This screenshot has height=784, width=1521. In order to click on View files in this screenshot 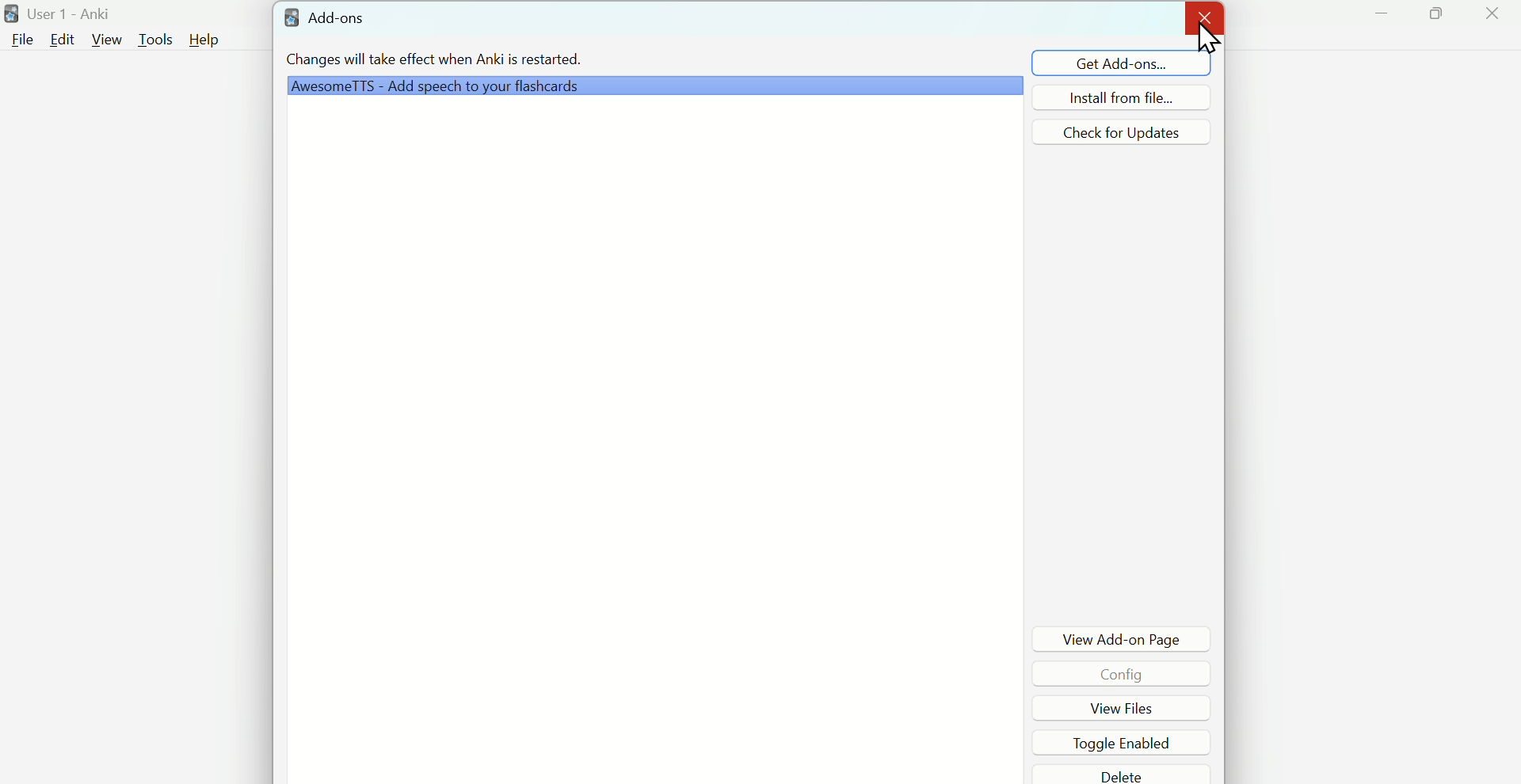, I will do `click(1108, 709)`.